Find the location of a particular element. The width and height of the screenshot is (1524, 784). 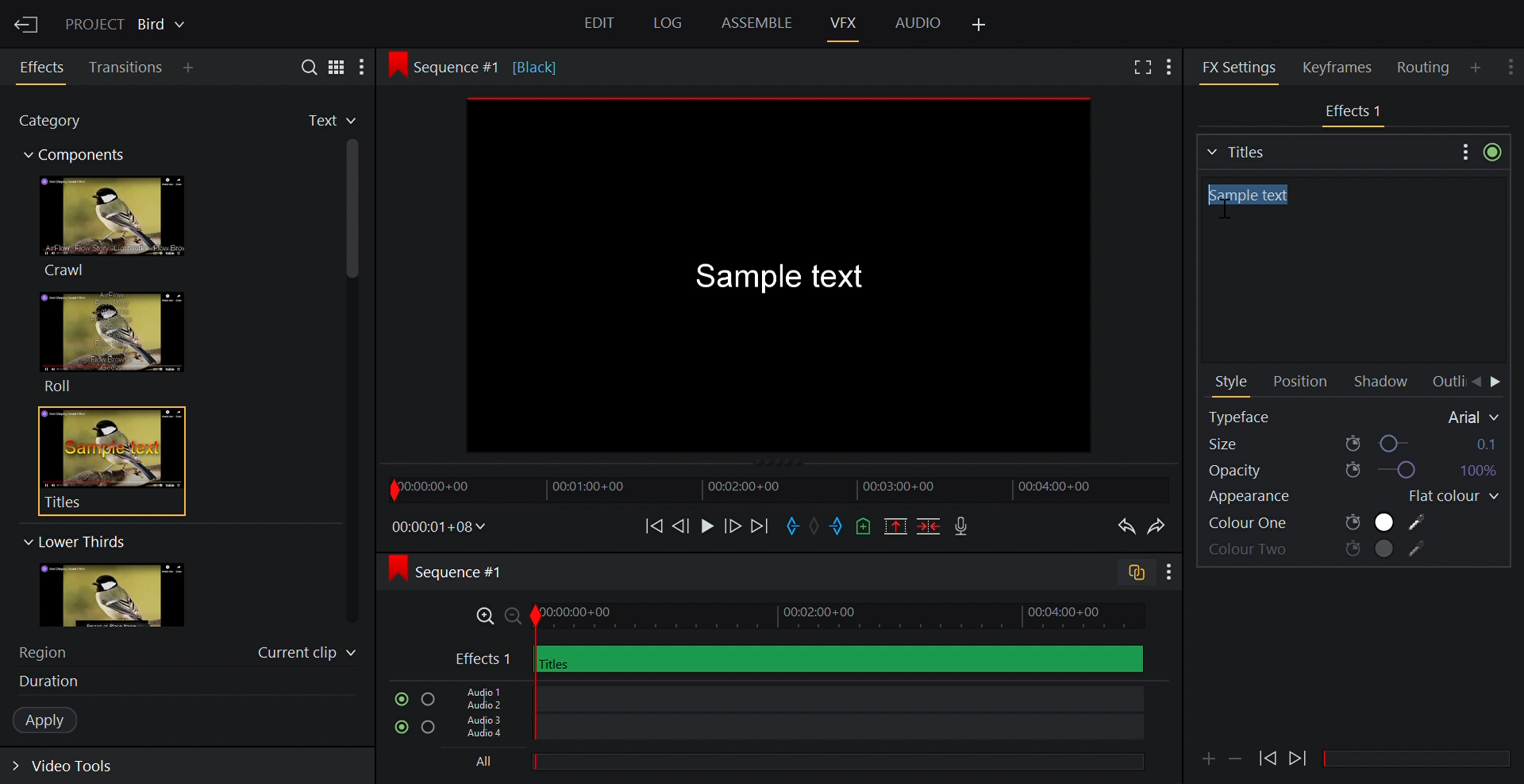

Solo this track is located at coordinates (428, 700).